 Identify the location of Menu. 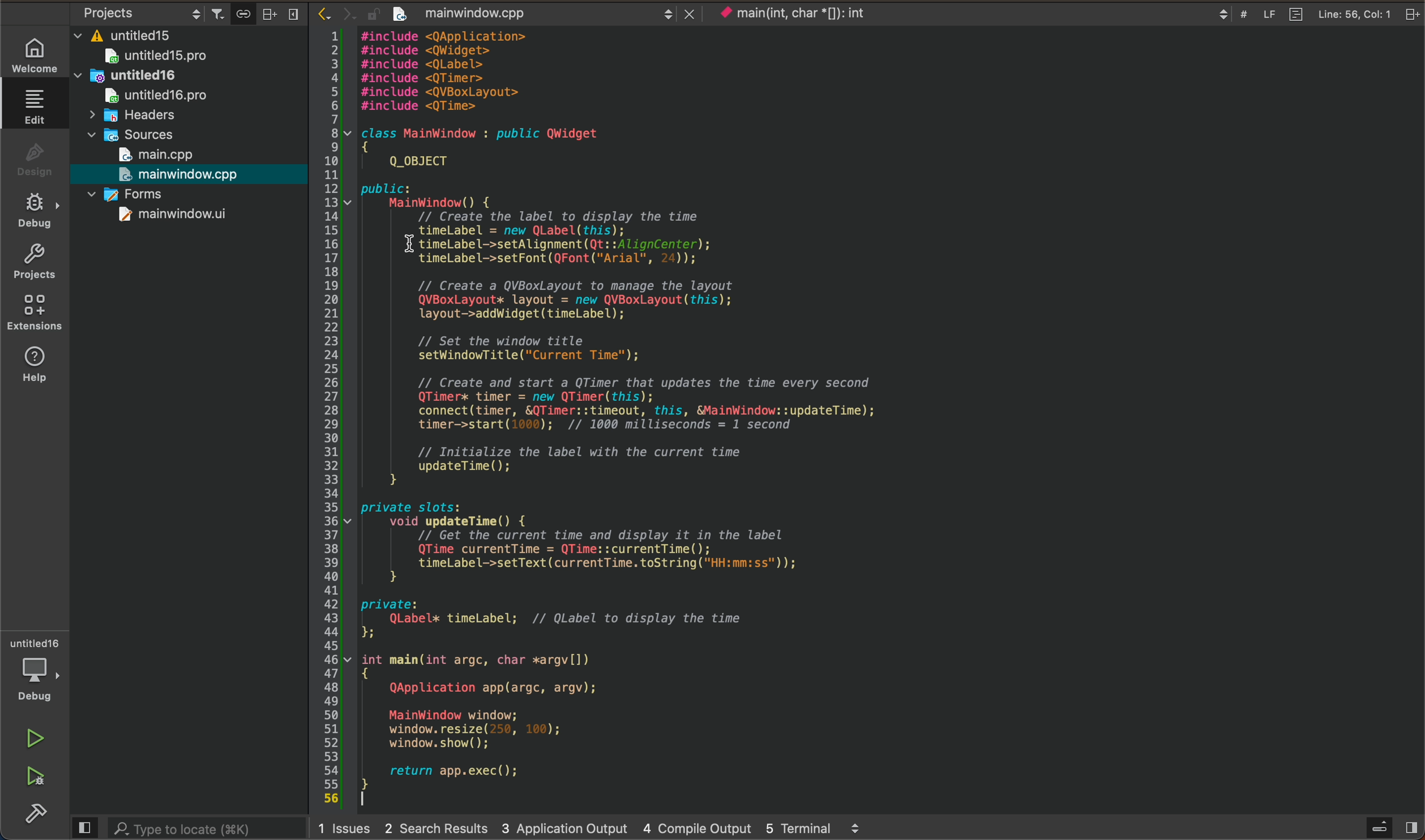
(292, 14).